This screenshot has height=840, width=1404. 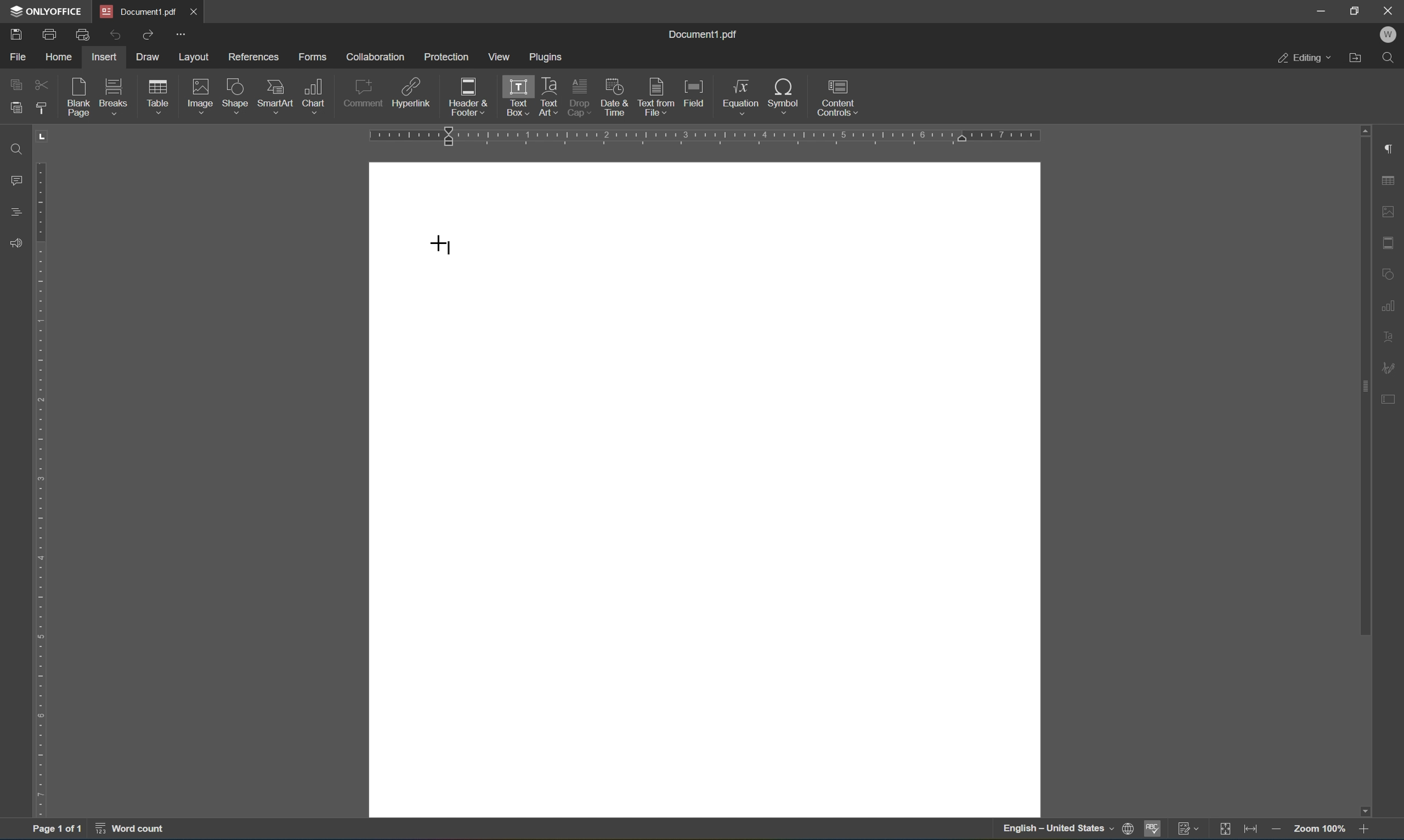 I want to click on equation, so click(x=741, y=97).